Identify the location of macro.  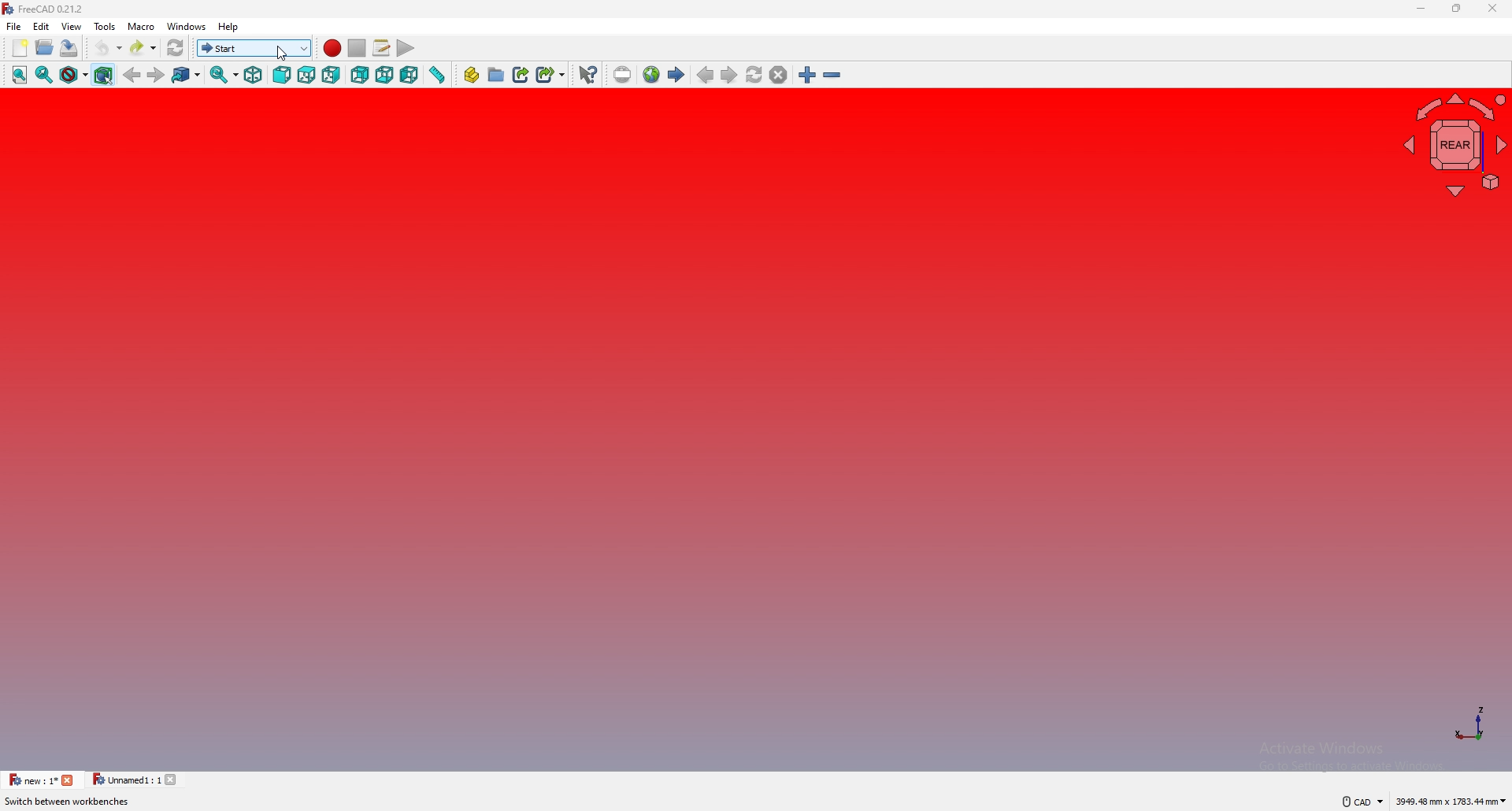
(141, 25).